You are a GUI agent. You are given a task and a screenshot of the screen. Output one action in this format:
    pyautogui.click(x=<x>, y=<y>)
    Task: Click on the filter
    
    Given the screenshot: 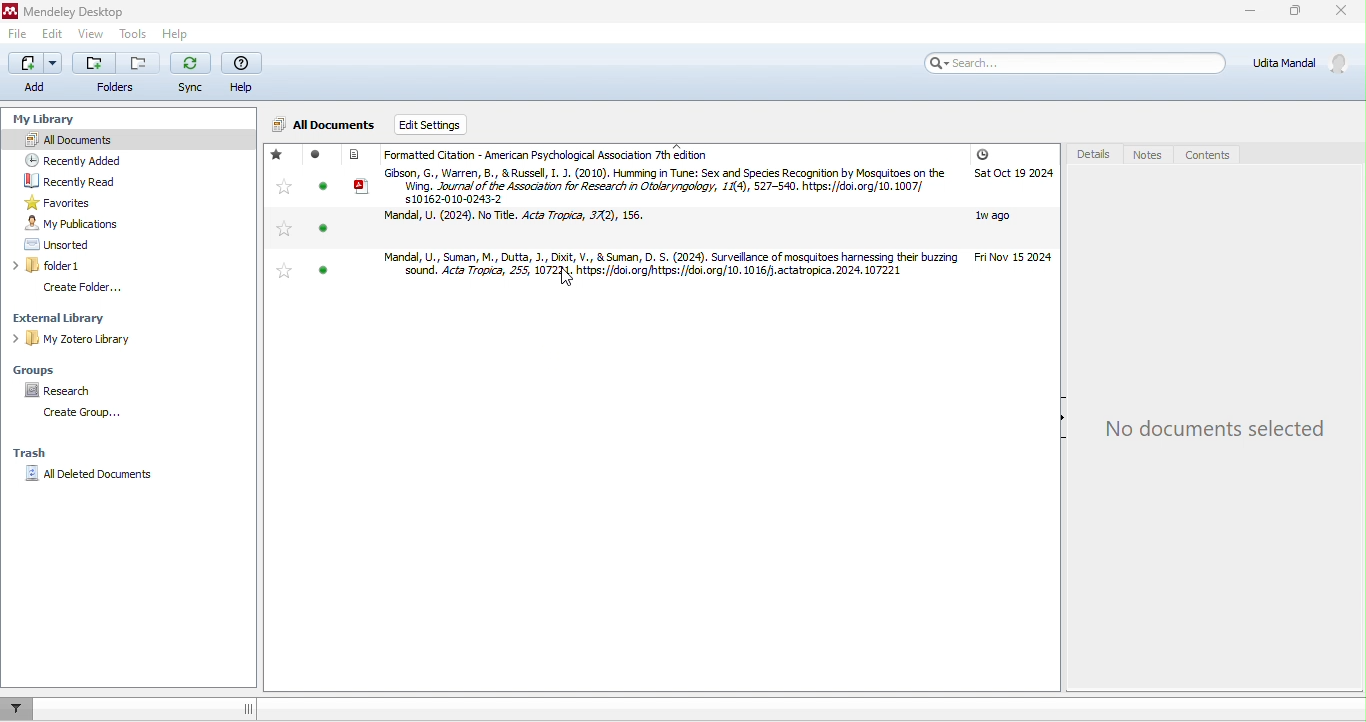 What is the action you would take?
    pyautogui.click(x=18, y=708)
    